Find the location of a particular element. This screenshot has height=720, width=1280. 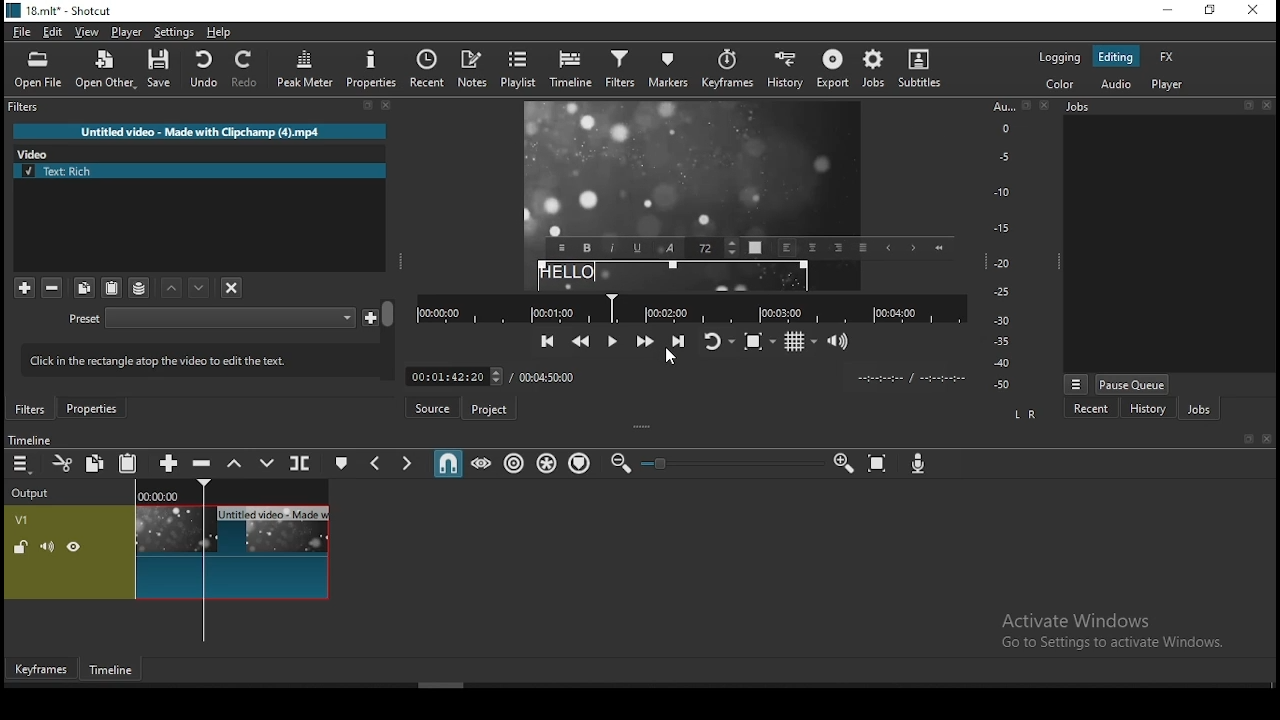

Jobs is located at coordinates (1078, 107).